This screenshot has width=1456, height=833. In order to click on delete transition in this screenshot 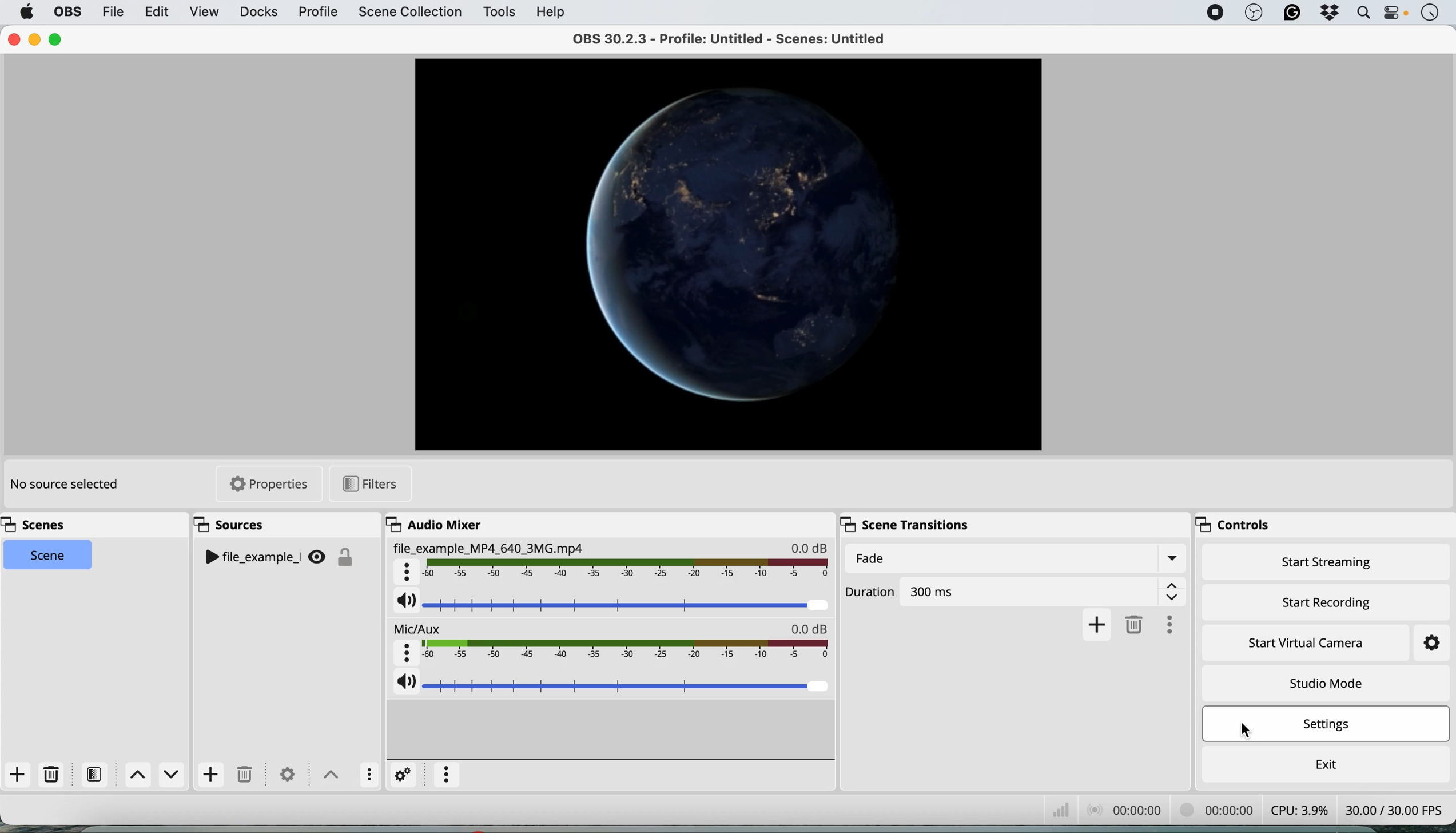, I will do `click(1137, 624)`.